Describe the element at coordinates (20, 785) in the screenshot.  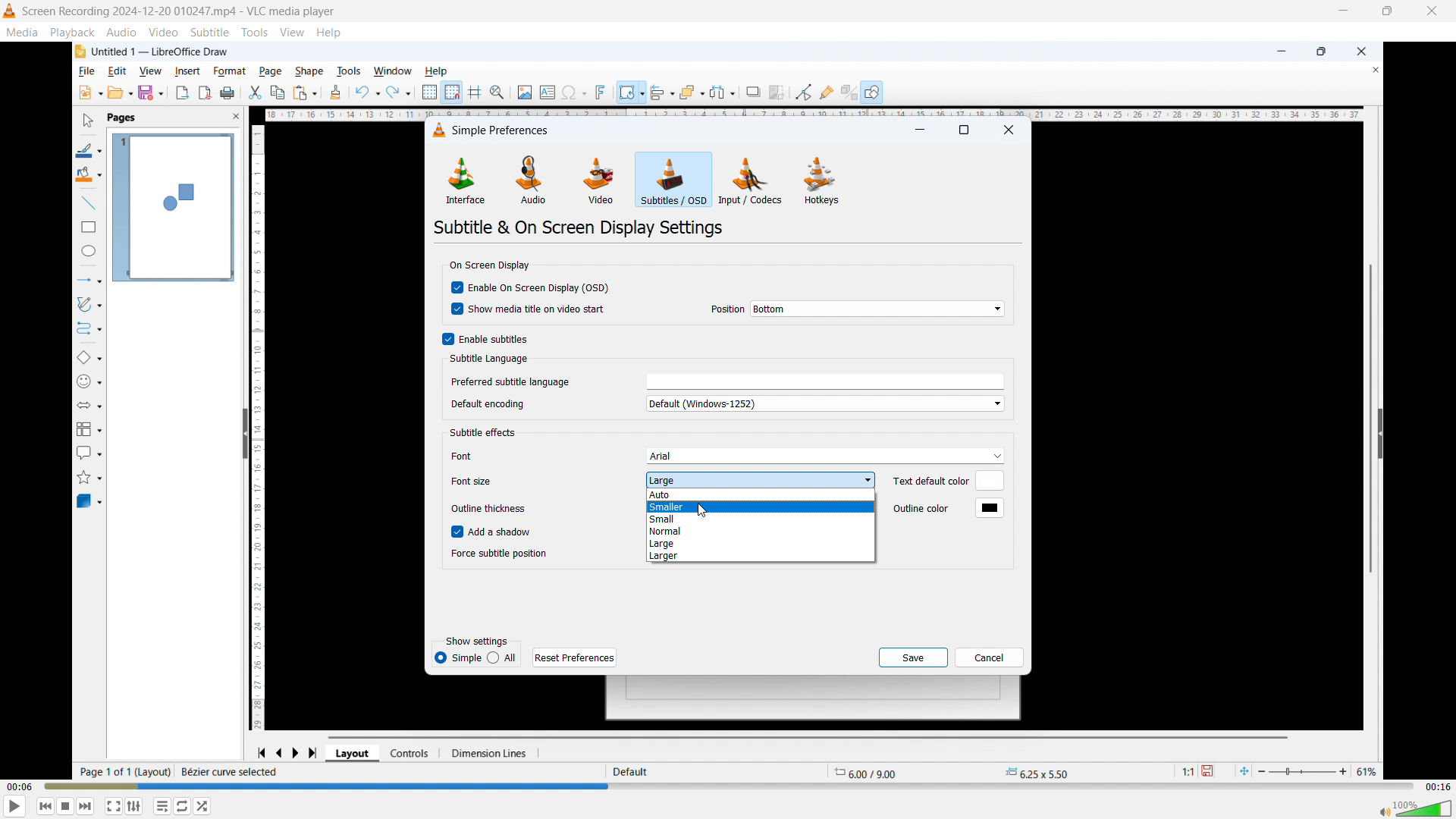
I see `Time elapsed ` at that location.